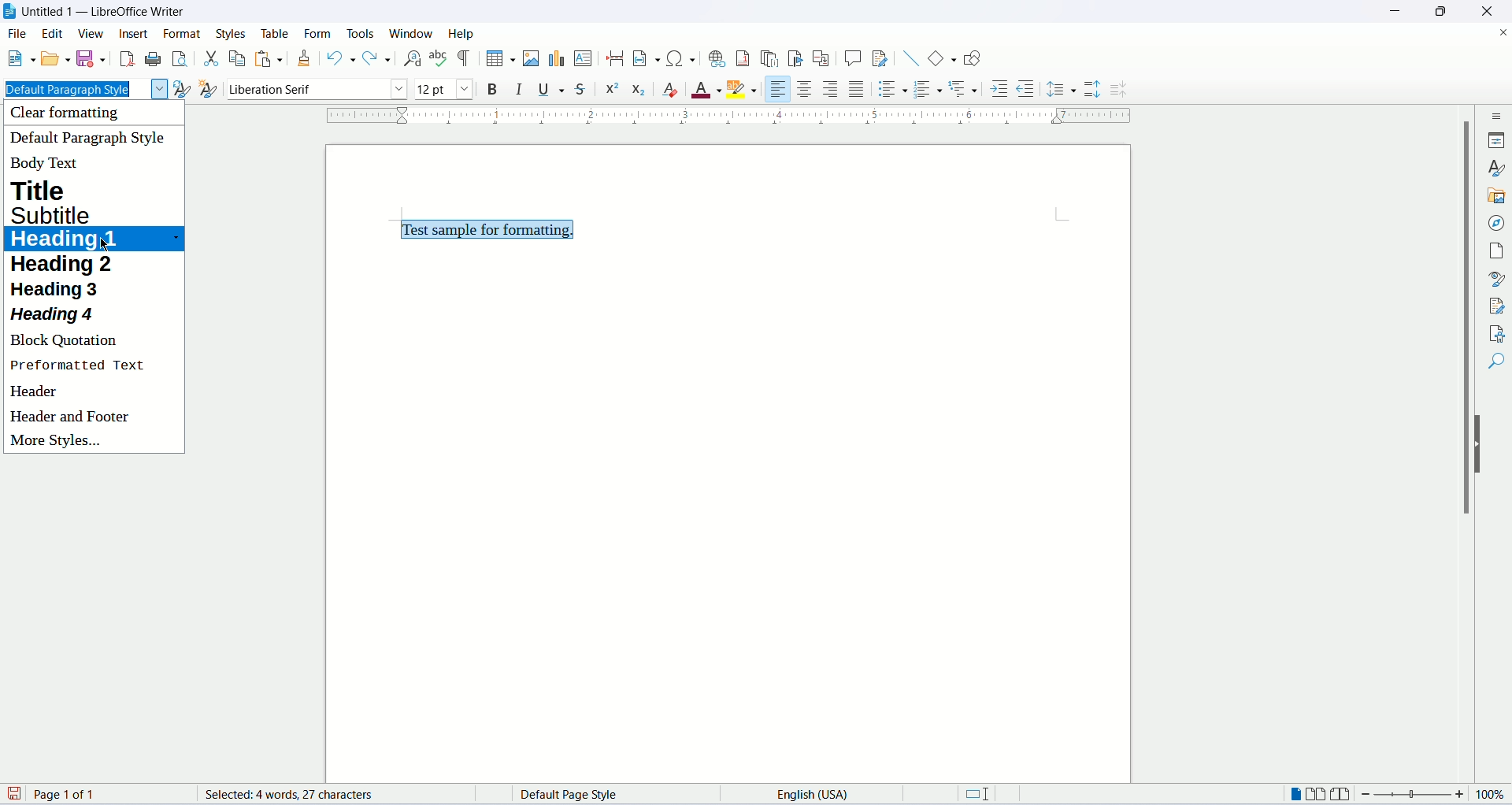 The width and height of the screenshot is (1512, 805). What do you see at coordinates (57, 290) in the screenshot?
I see `heading 3` at bounding box center [57, 290].